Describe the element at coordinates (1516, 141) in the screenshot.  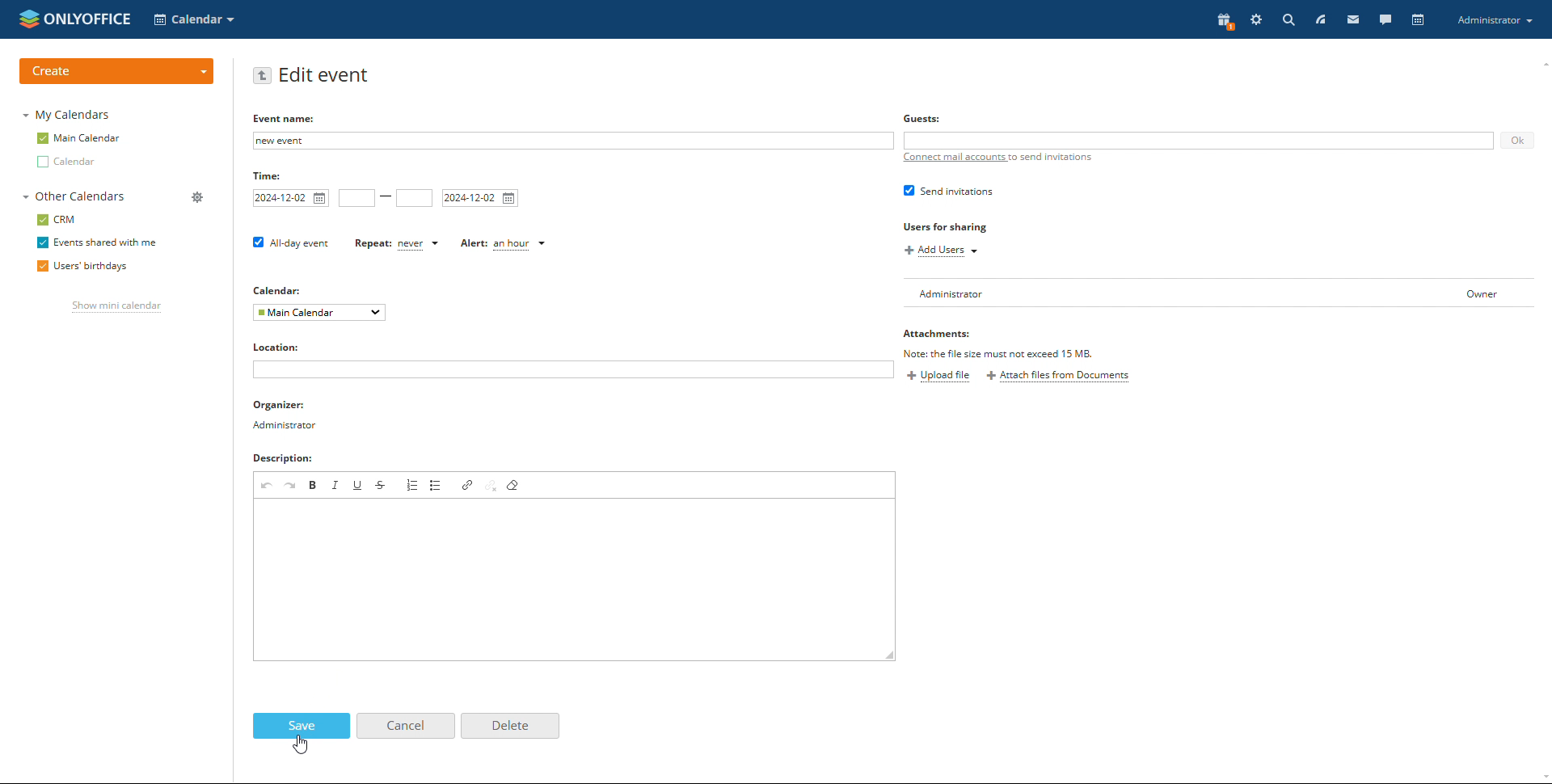
I see `ok` at that location.